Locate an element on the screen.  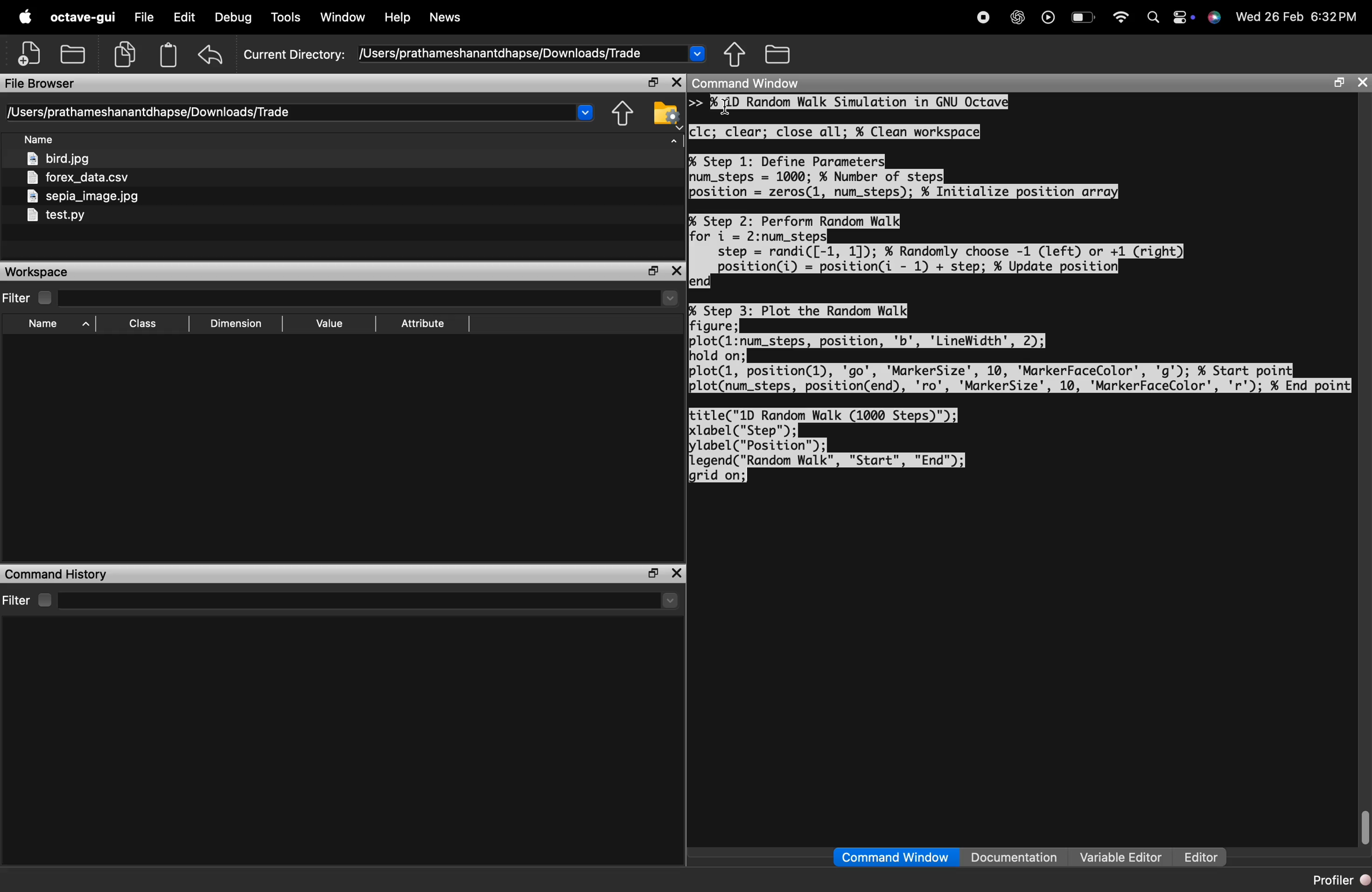
wifi is located at coordinates (1121, 17).